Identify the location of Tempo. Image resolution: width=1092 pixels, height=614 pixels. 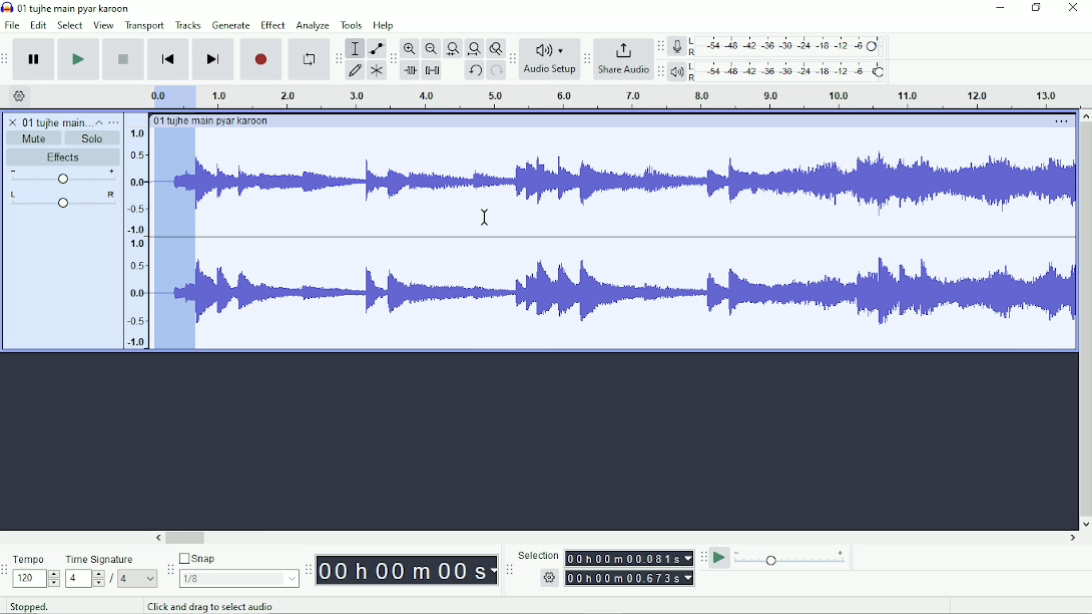
(36, 559).